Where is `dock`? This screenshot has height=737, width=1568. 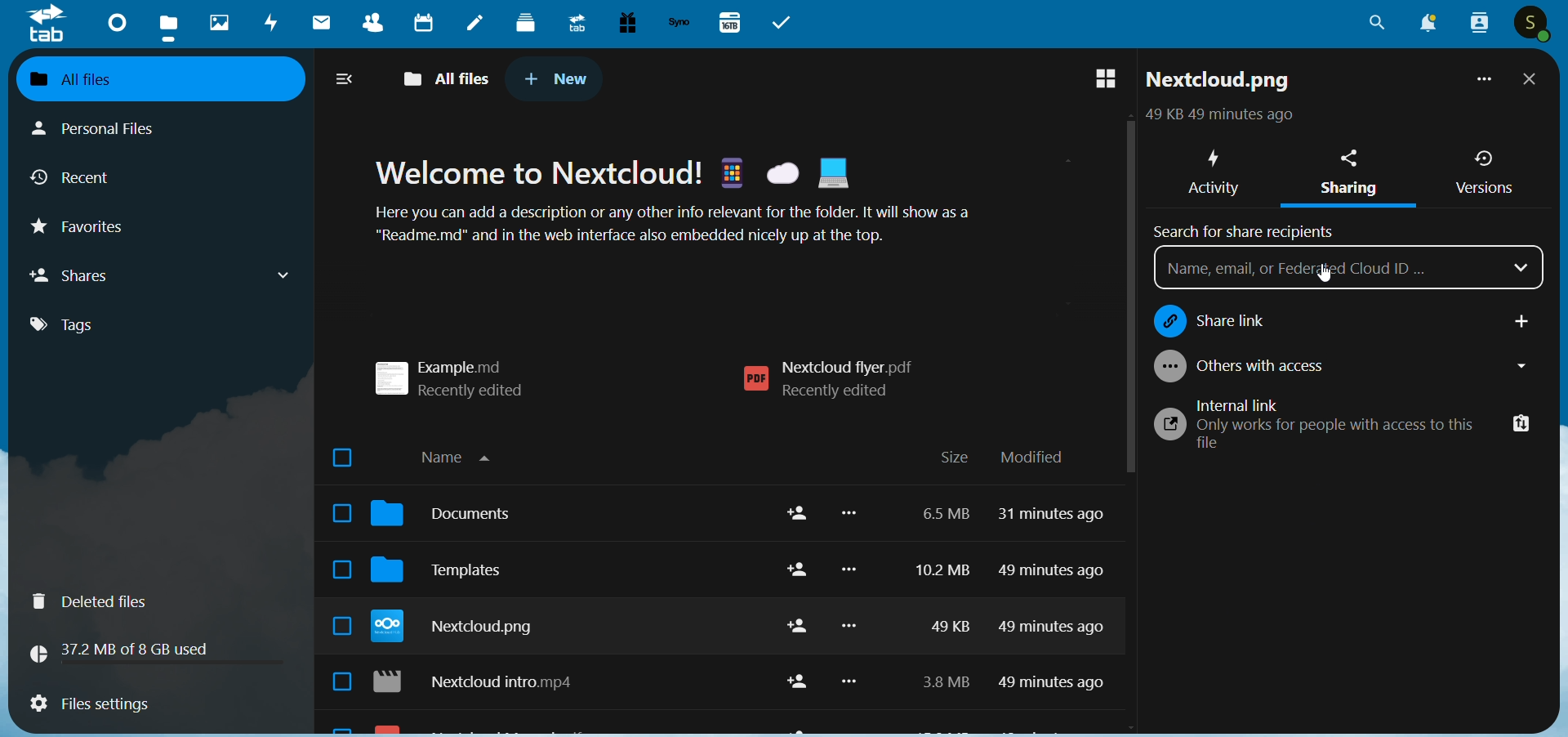
dock is located at coordinates (526, 22).